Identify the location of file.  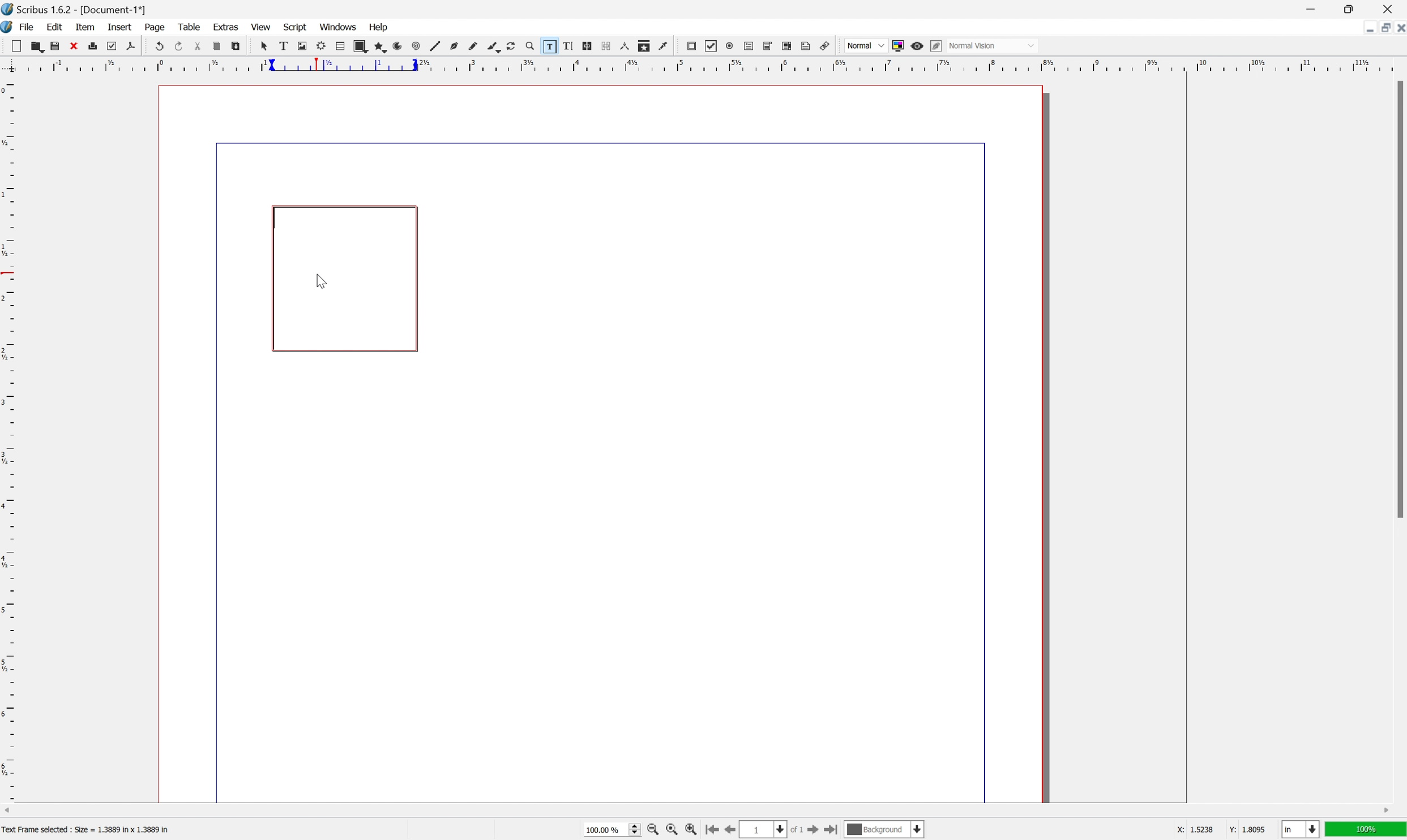
(28, 28).